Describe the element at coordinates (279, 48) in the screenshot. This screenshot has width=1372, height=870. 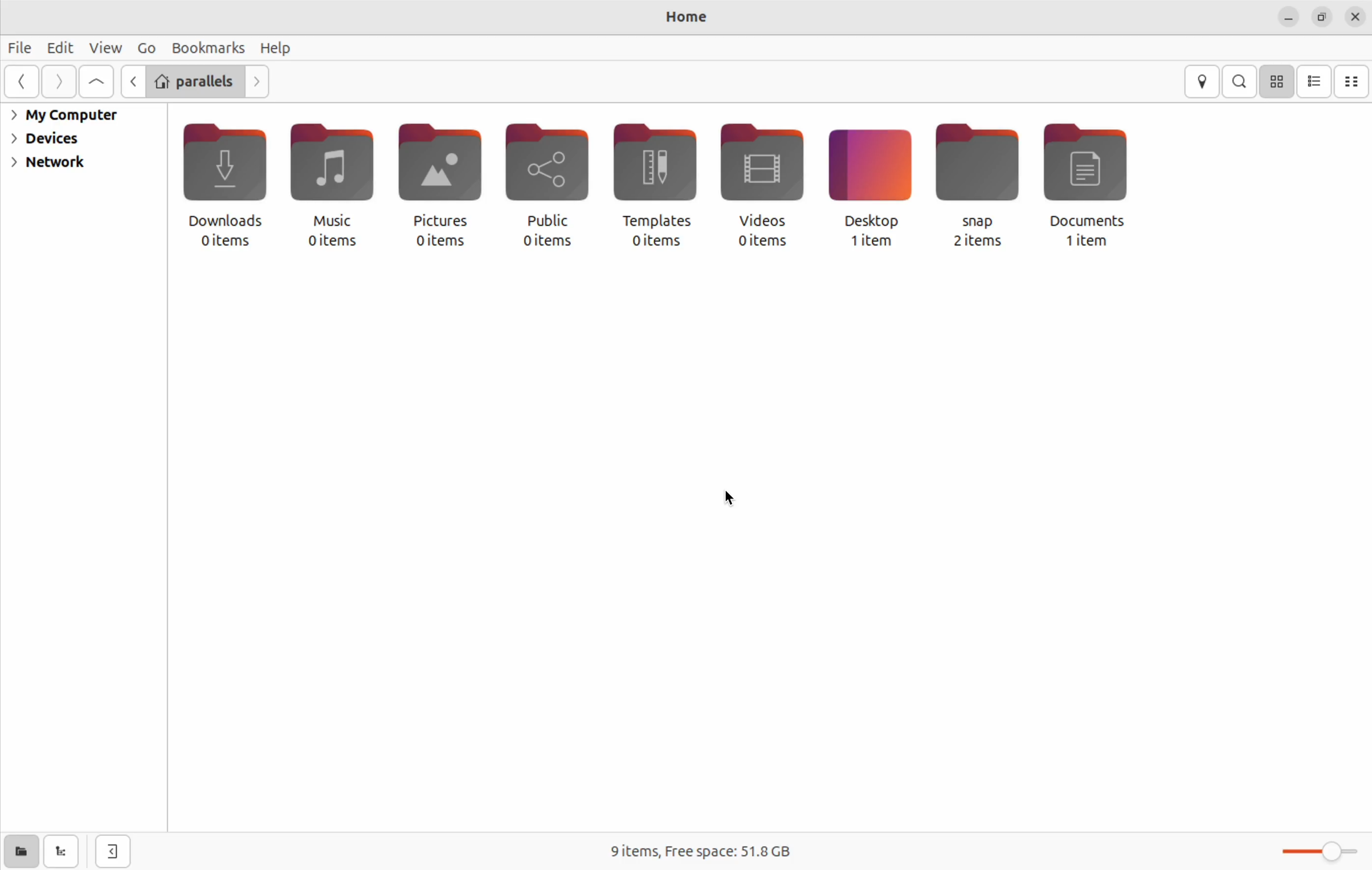
I see `help` at that location.